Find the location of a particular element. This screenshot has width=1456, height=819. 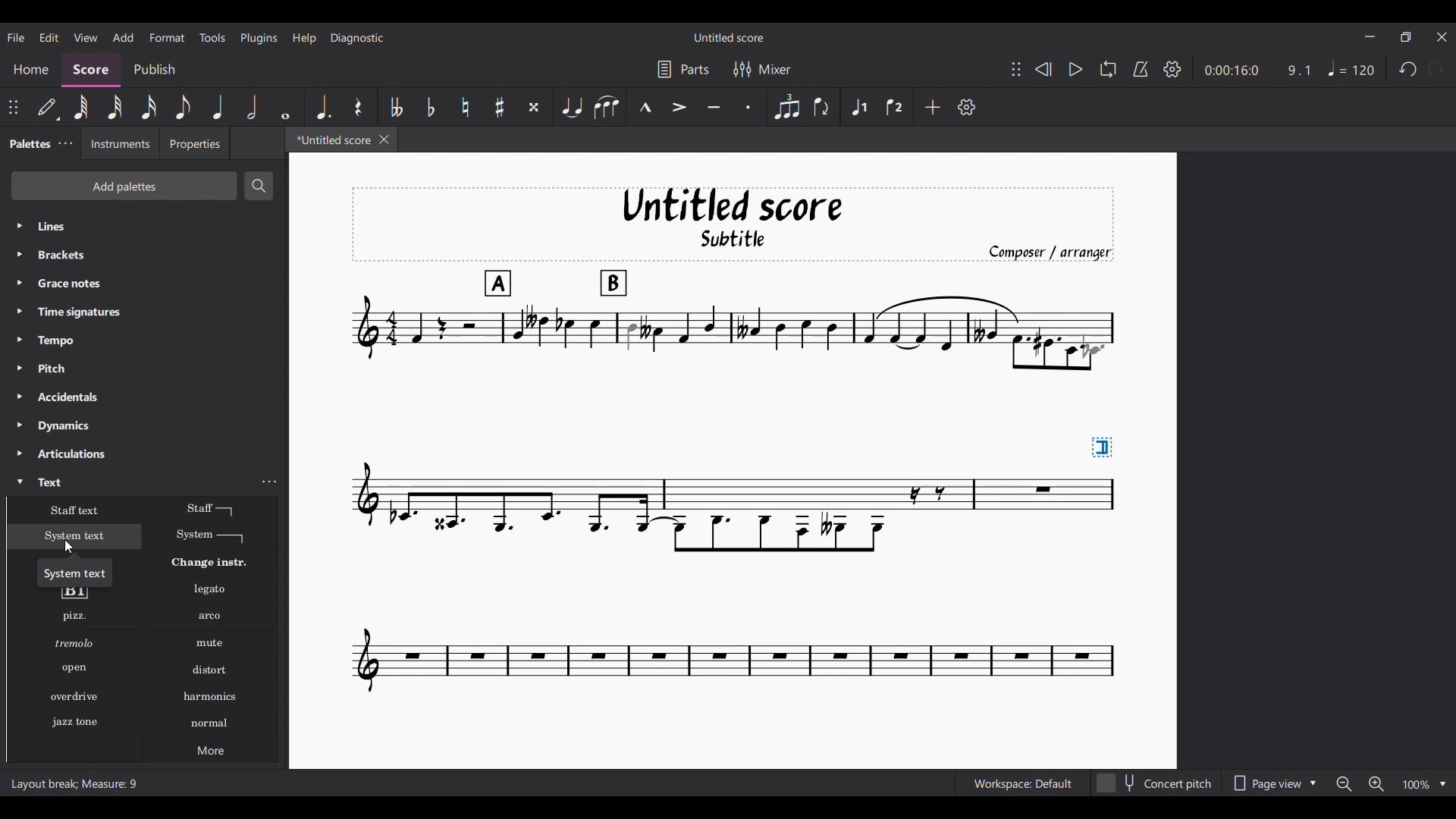

Jazz stone is located at coordinates (74, 723).